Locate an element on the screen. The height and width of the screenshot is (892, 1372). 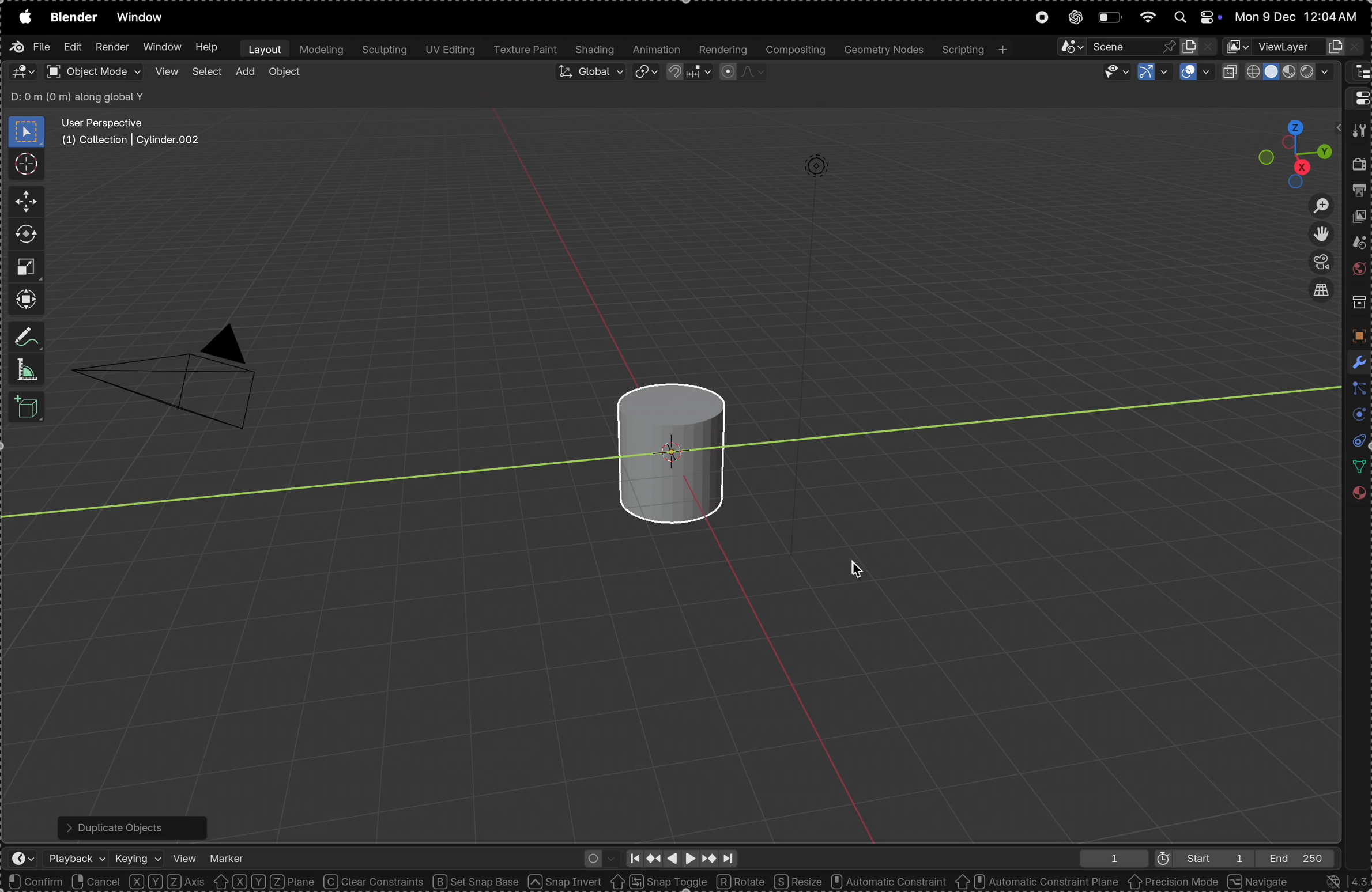
file is located at coordinates (29, 47).